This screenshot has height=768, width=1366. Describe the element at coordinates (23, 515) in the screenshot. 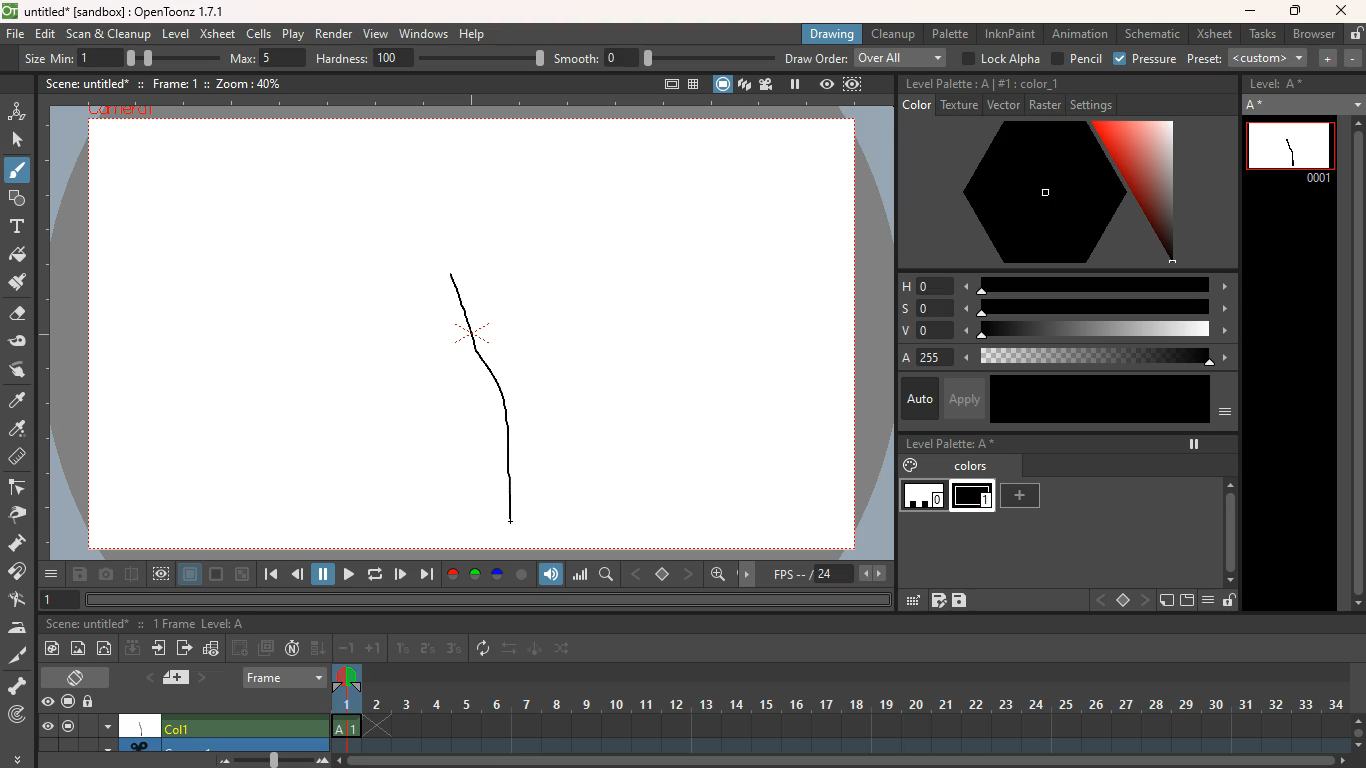

I see `pick` at that location.